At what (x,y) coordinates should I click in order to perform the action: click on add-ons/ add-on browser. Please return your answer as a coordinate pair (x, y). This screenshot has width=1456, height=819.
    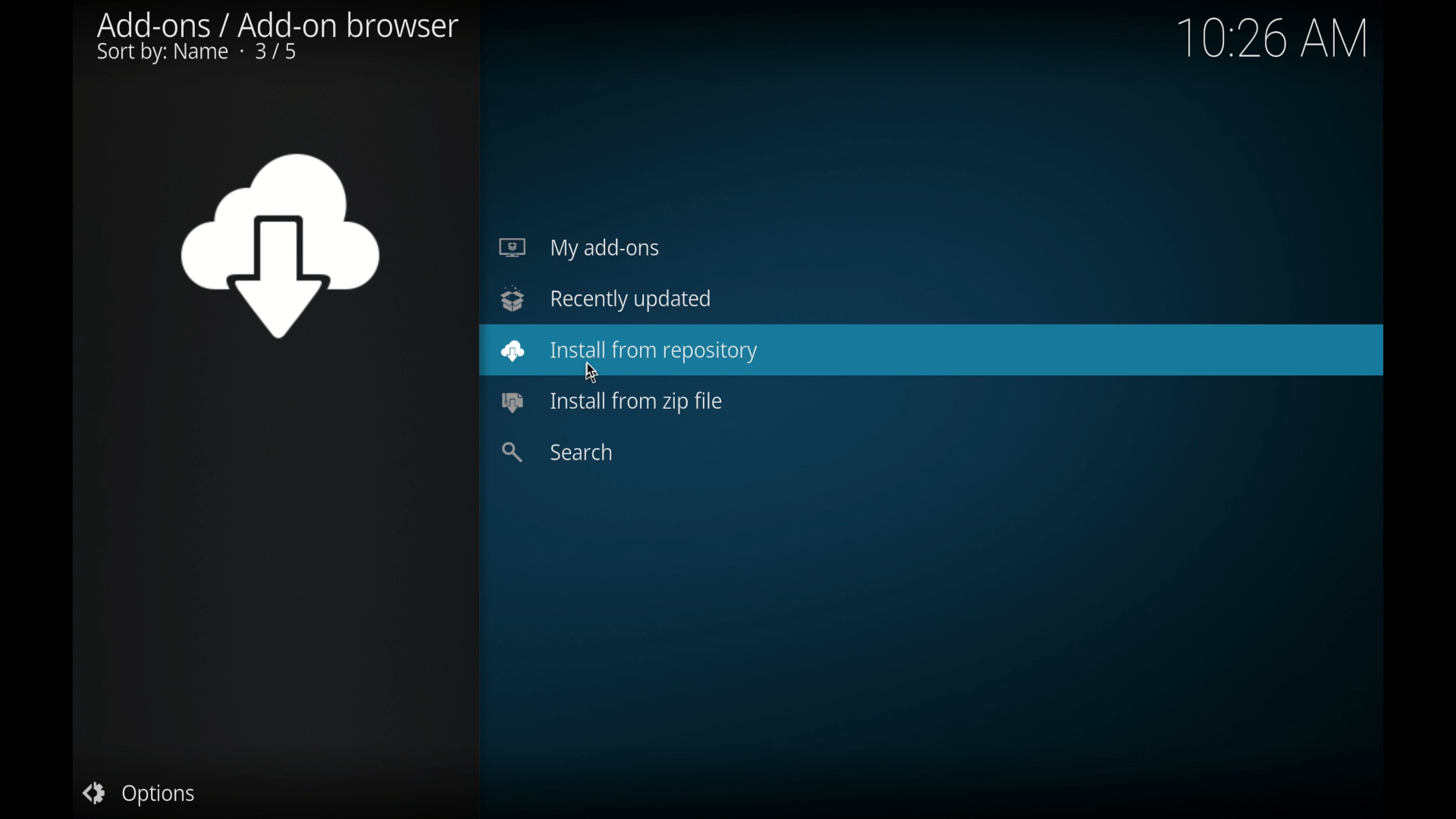
    Looking at the image, I should click on (278, 39).